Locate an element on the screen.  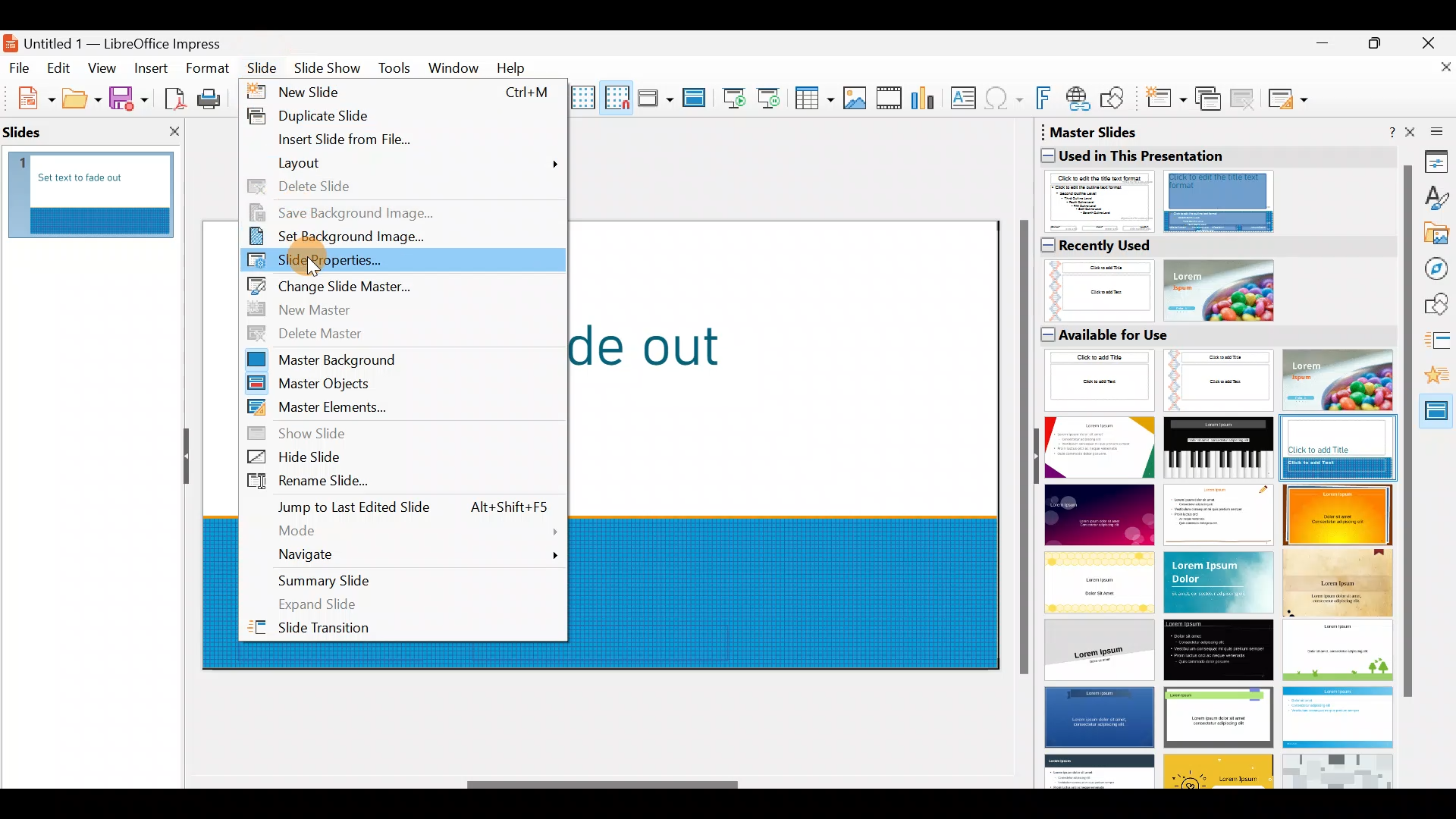
Expand slide is located at coordinates (409, 604).